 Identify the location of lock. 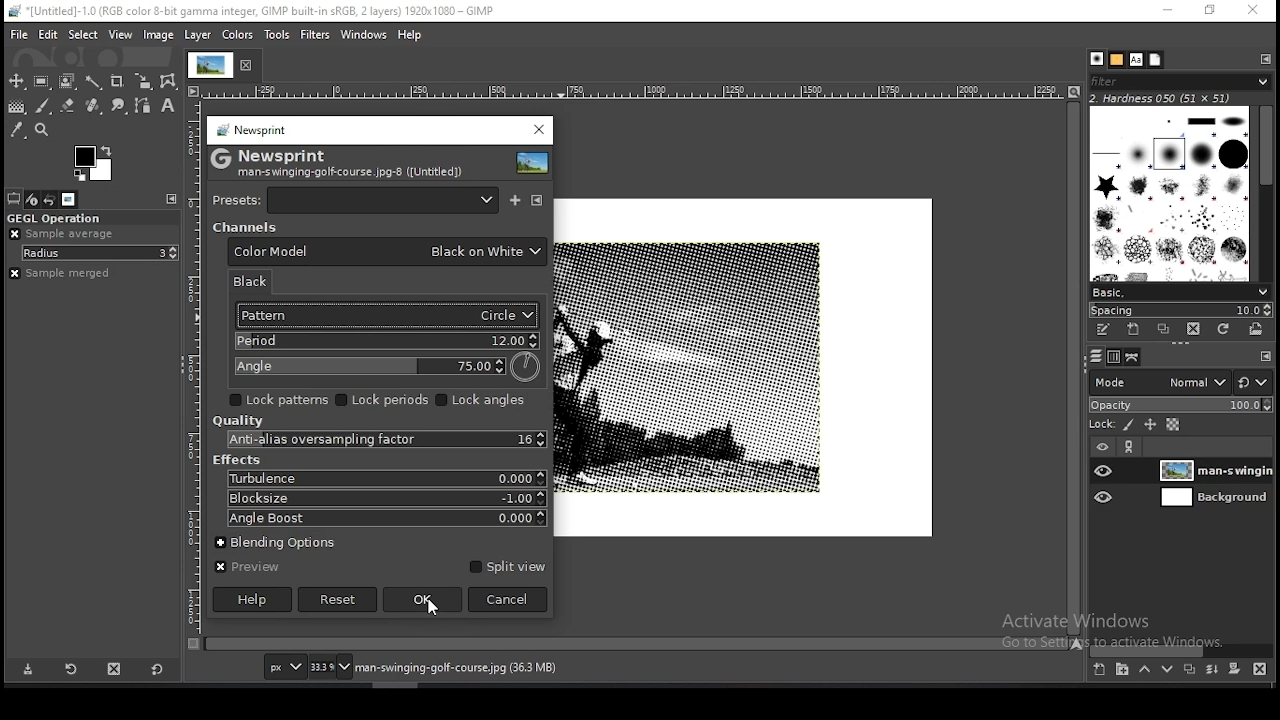
(1103, 424).